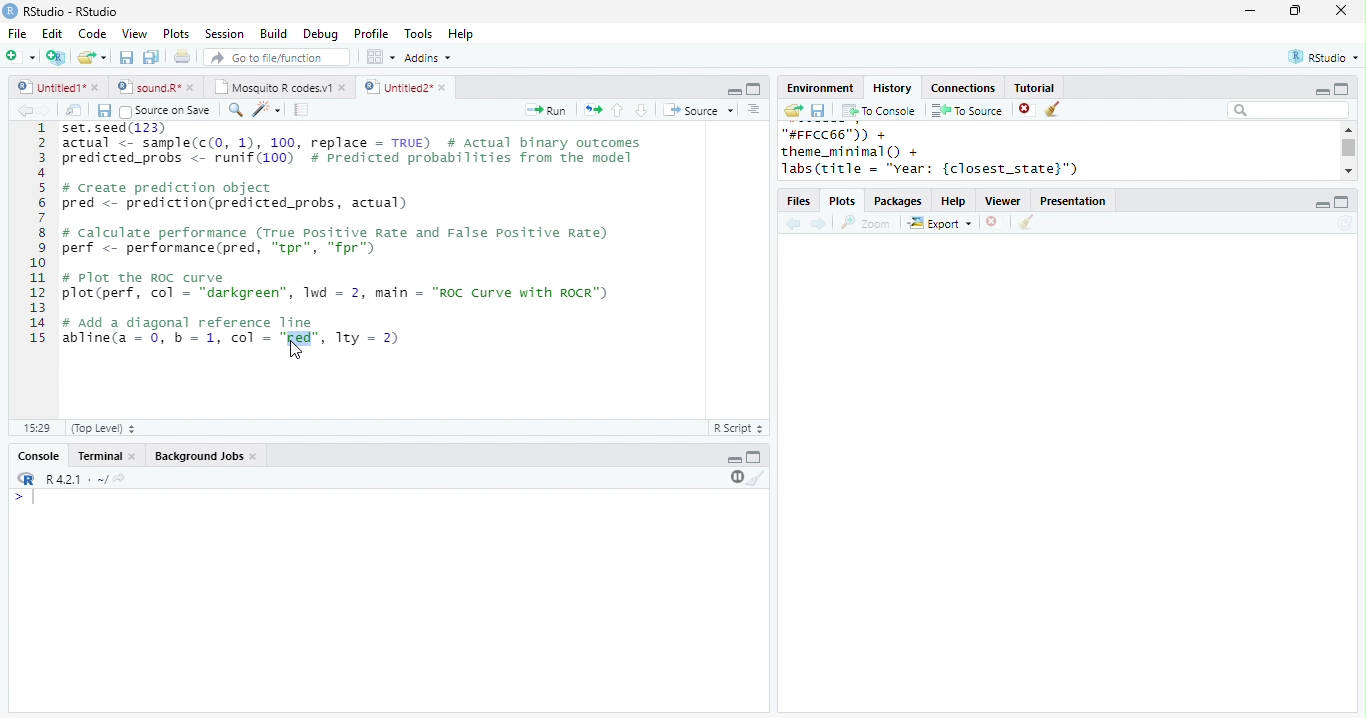  I want to click on To console, so click(879, 111).